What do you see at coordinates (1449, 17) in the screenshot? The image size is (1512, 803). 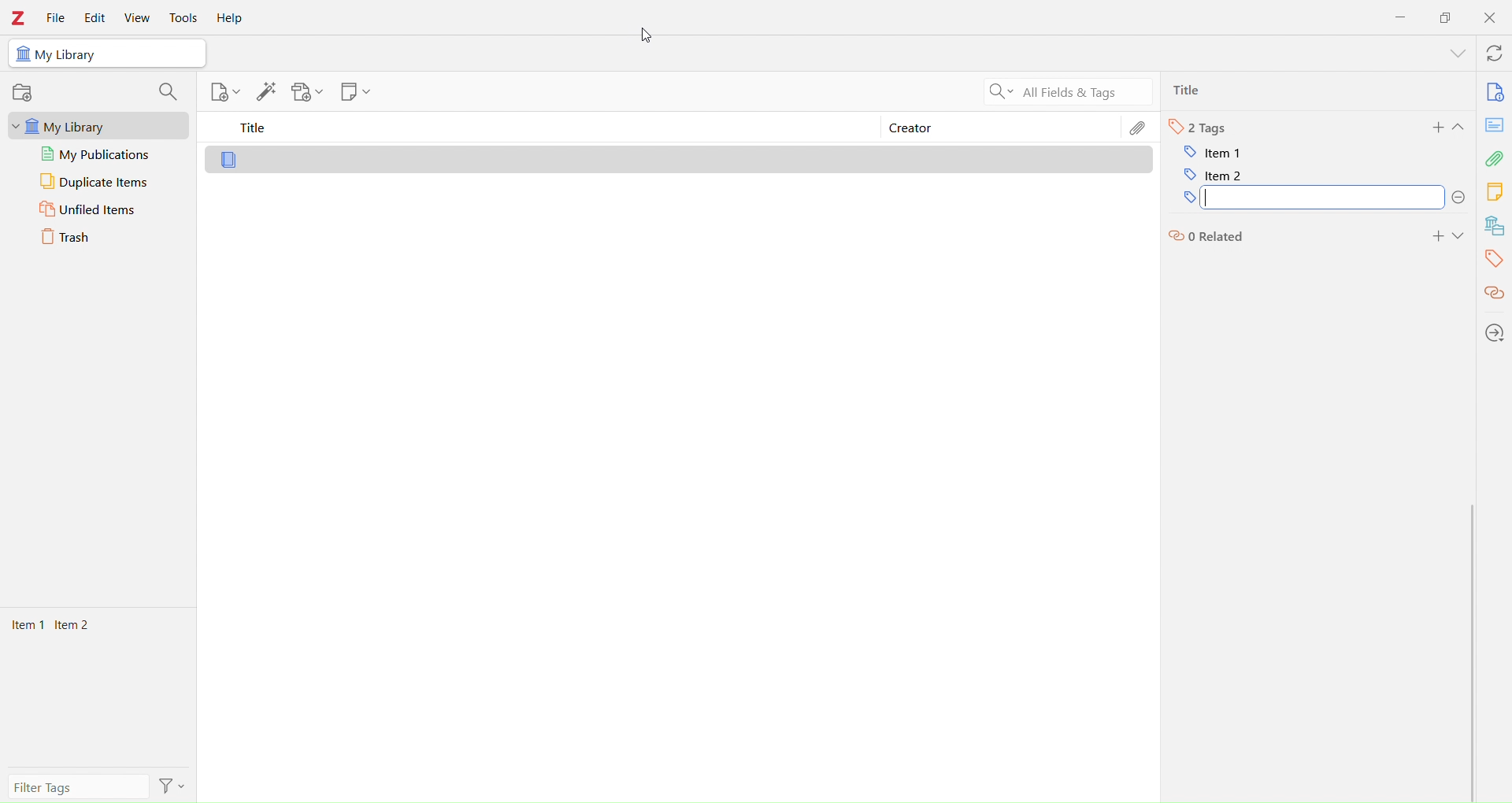 I see `Duplicate` at bounding box center [1449, 17].